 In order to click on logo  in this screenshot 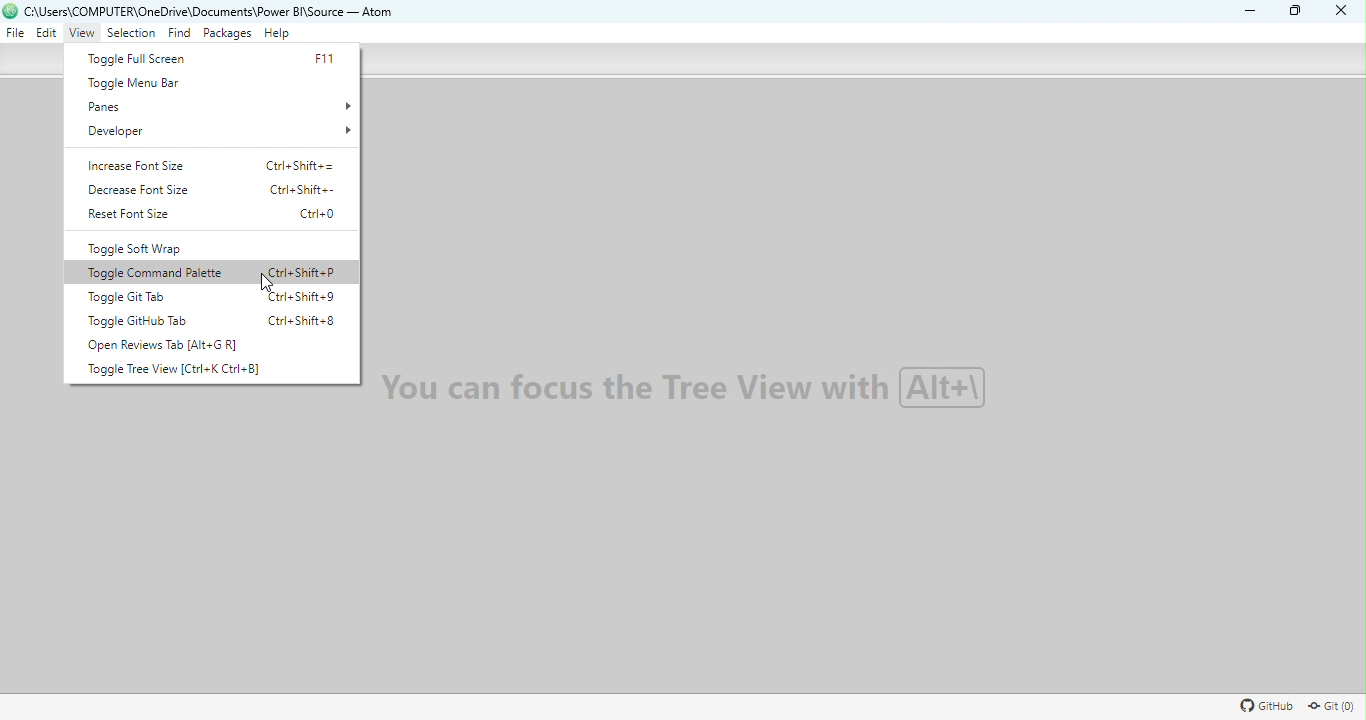, I will do `click(11, 11)`.